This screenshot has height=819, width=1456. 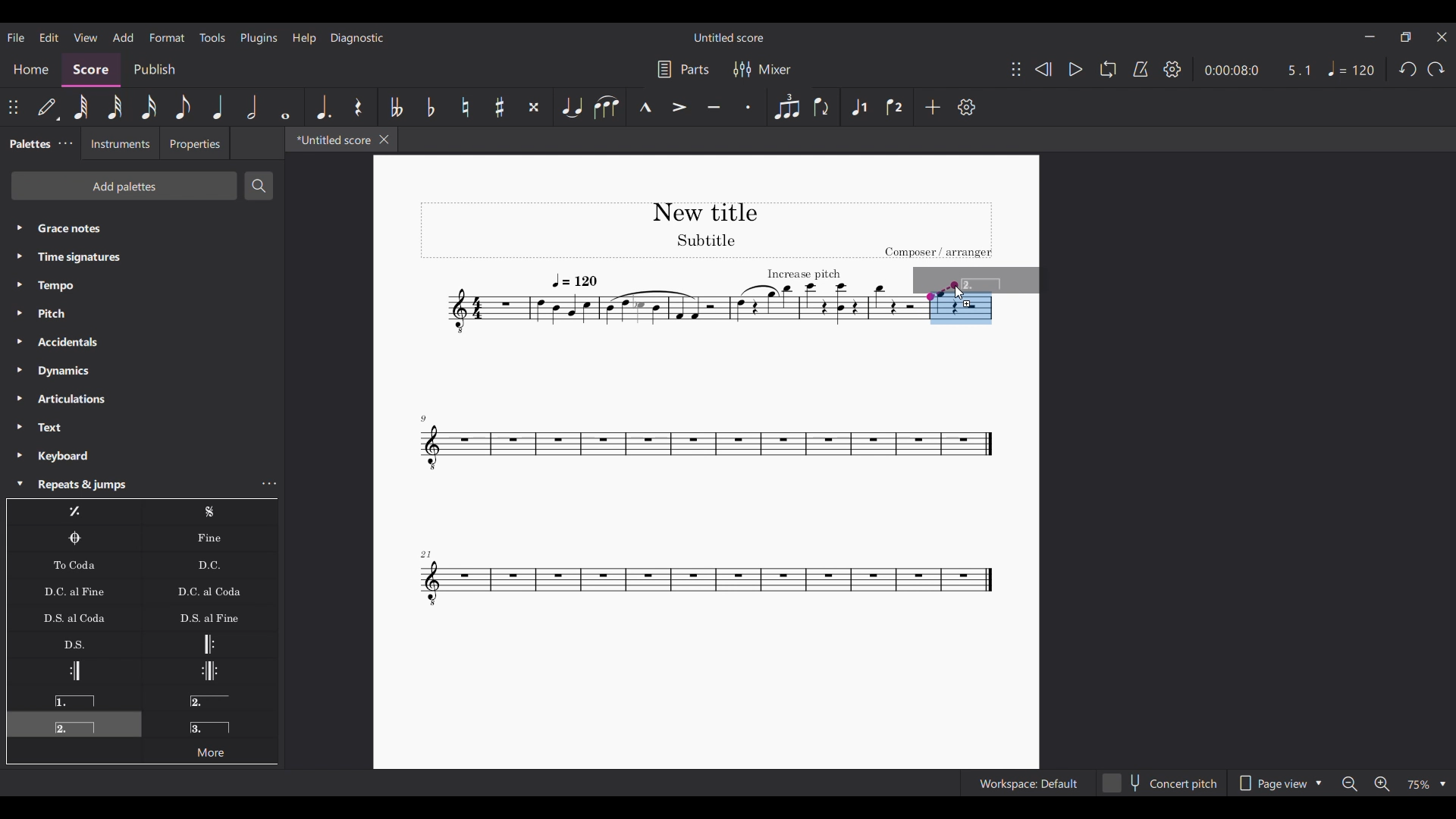 What do you see at coordinates (1109, 69) in the screenshot?
I see `Loop playback` at bounding box center [1109, 69].